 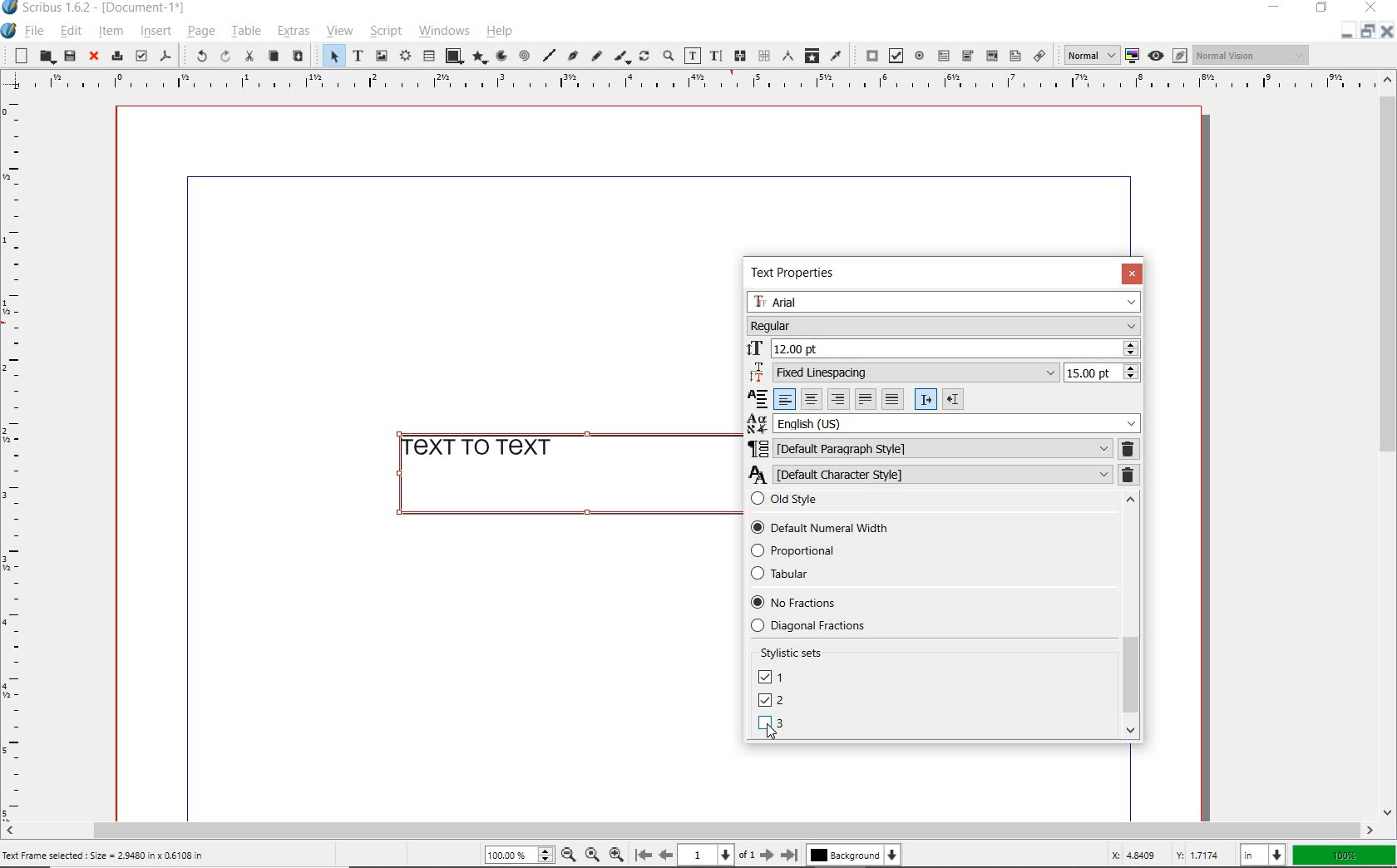 I want to click on Preview mode, so click(x=1155, y=55).